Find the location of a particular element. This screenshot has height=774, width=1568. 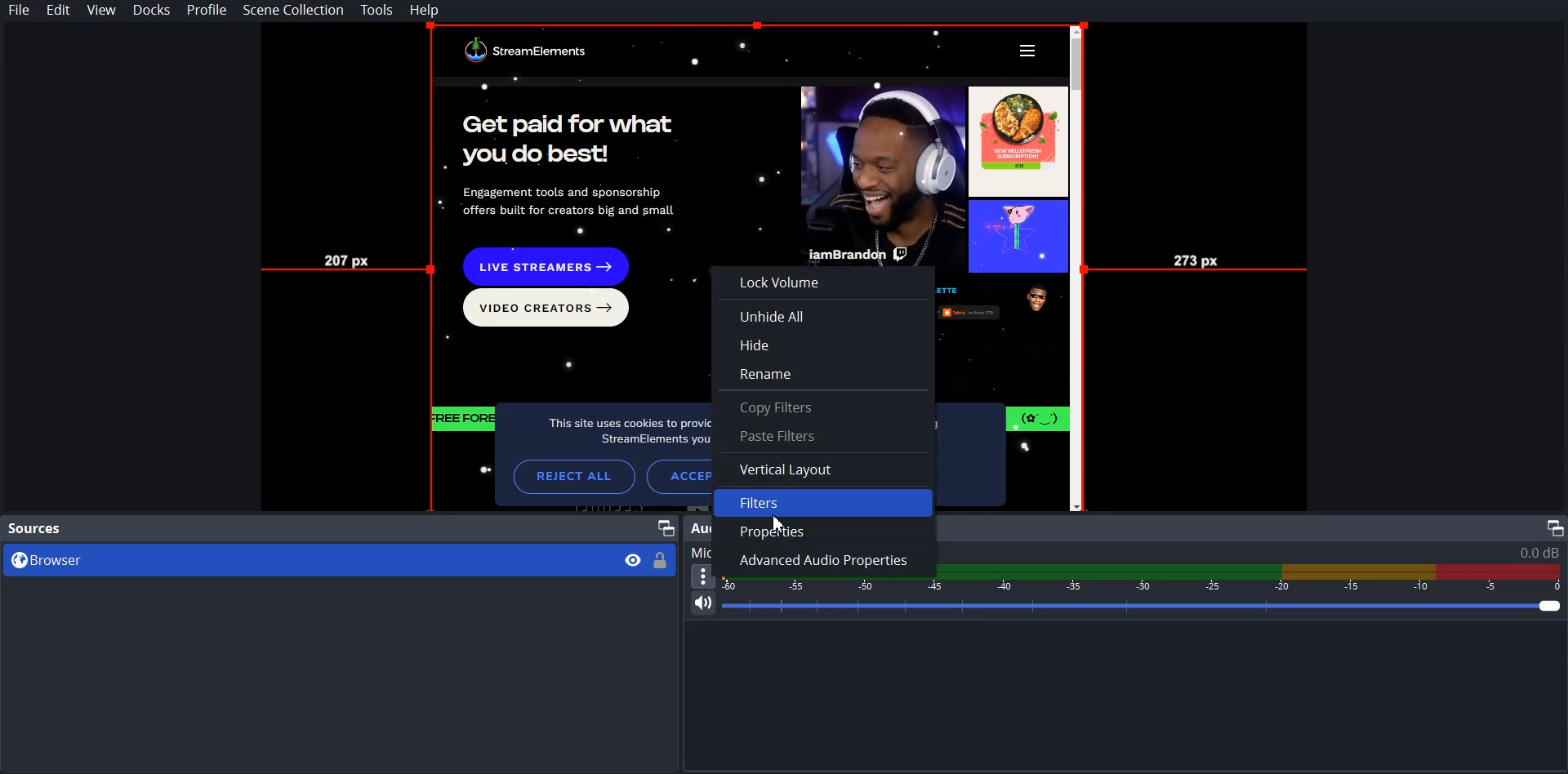

Filters is located at coordinates (824, 502).